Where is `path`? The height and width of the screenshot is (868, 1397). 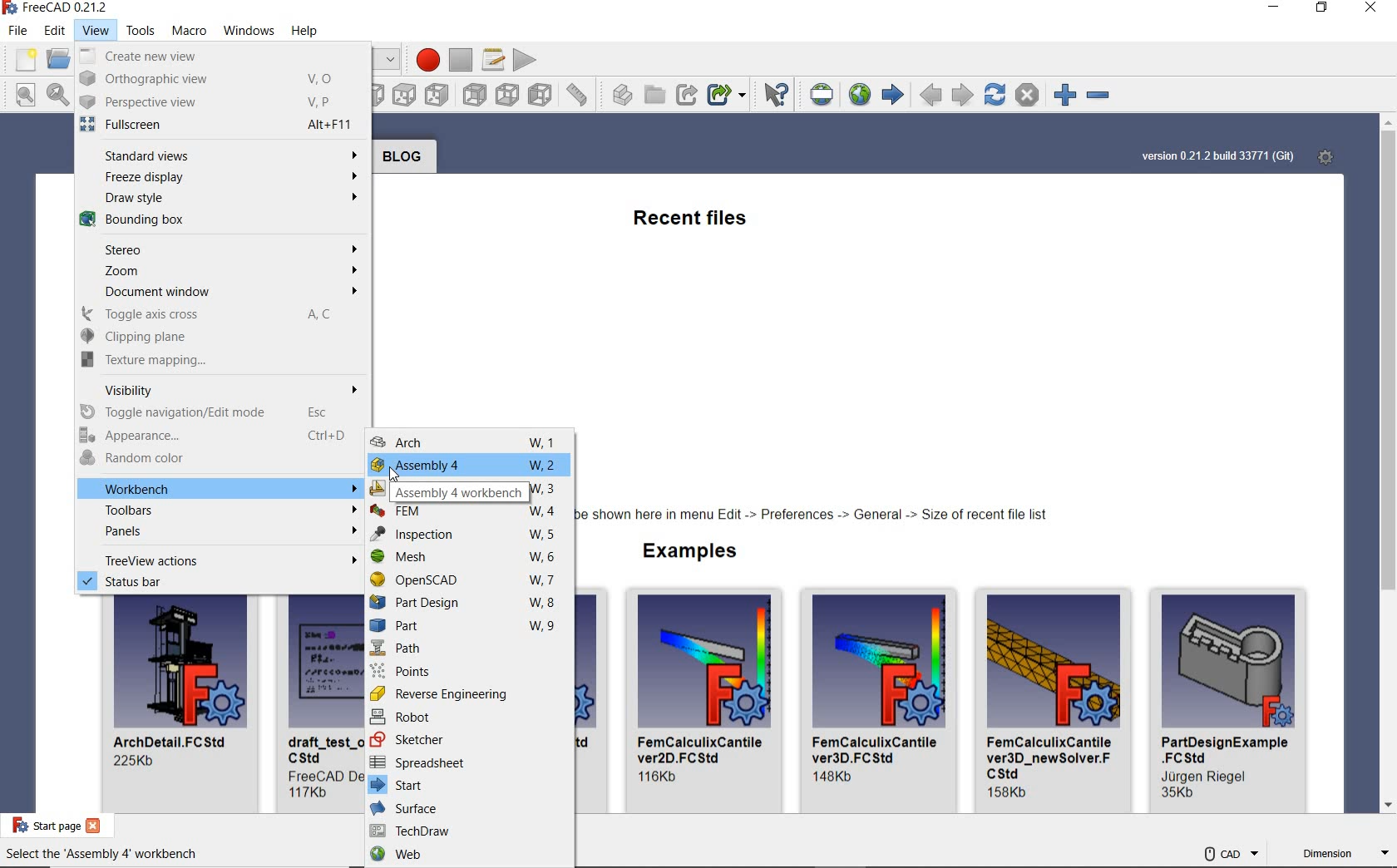
path is located at coordinates (471, 648).